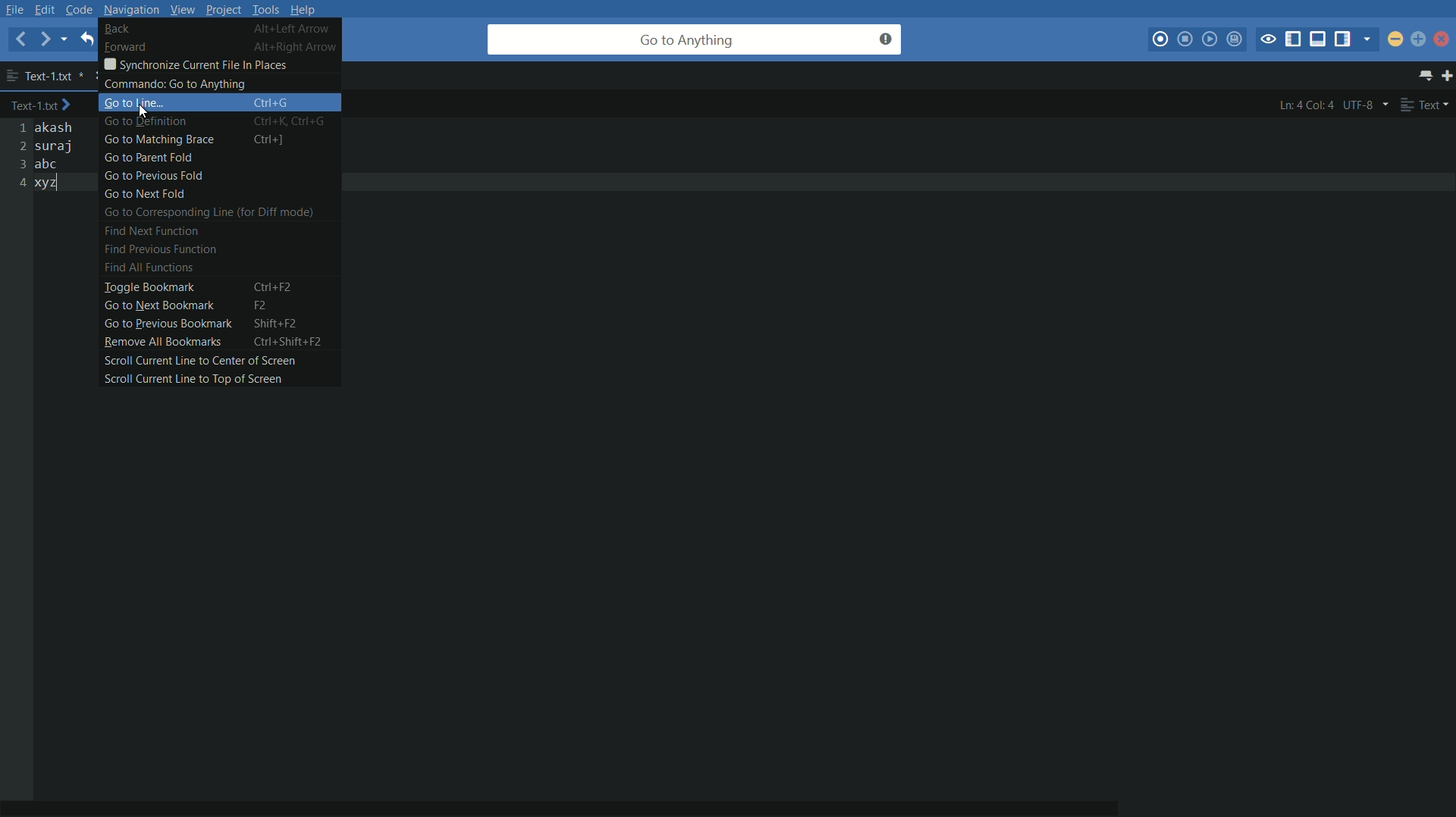  I want to click on synchronize current file in places, so click(194, 64).